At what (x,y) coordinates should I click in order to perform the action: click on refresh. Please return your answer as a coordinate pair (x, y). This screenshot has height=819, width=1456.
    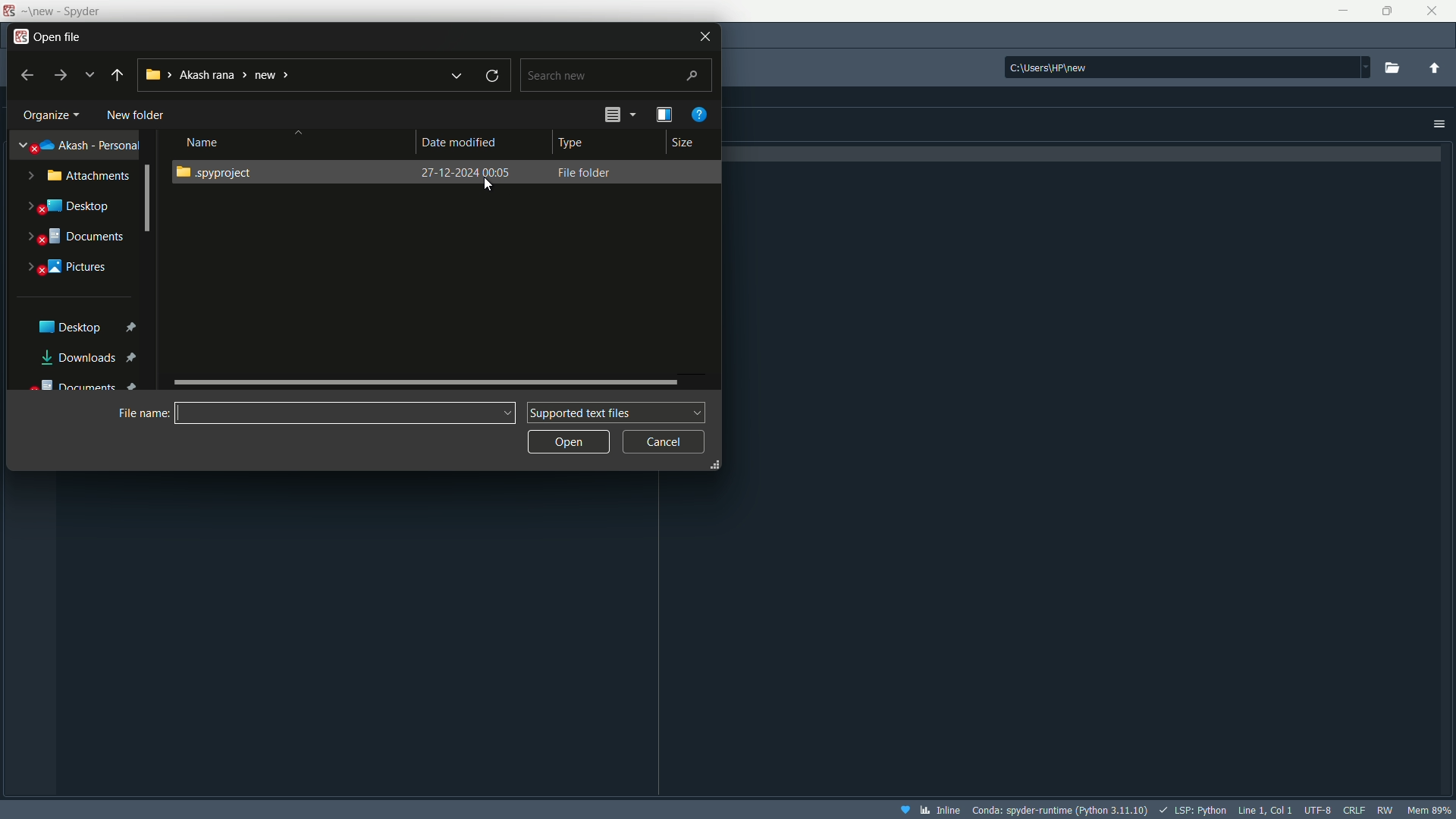
    Looking at the image, I should click on (493, 76).